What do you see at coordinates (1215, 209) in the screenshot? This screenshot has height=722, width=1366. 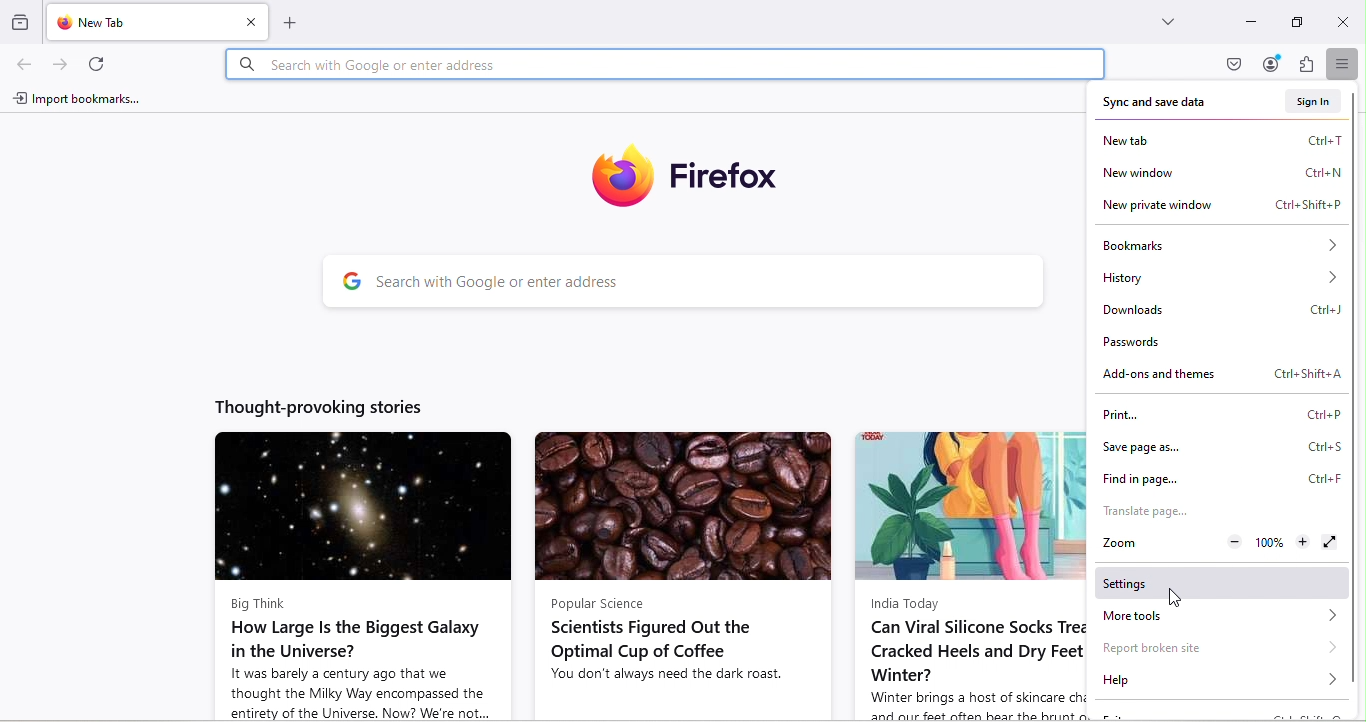 I see `New private window` at bounding box center [1215, 209].